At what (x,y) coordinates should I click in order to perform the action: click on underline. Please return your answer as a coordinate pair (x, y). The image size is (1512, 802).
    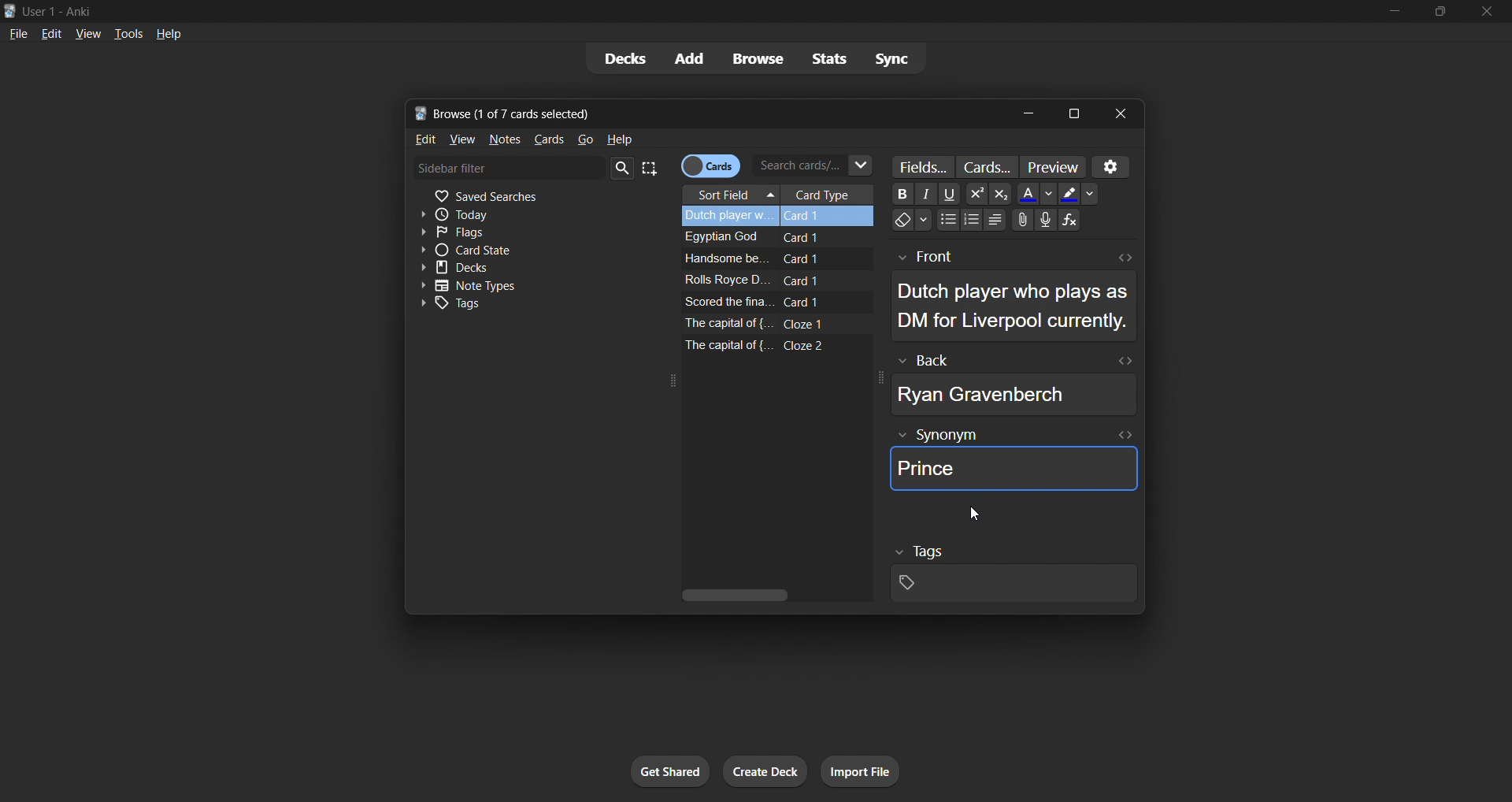
    Looking at the image, I should click on (950, 194).